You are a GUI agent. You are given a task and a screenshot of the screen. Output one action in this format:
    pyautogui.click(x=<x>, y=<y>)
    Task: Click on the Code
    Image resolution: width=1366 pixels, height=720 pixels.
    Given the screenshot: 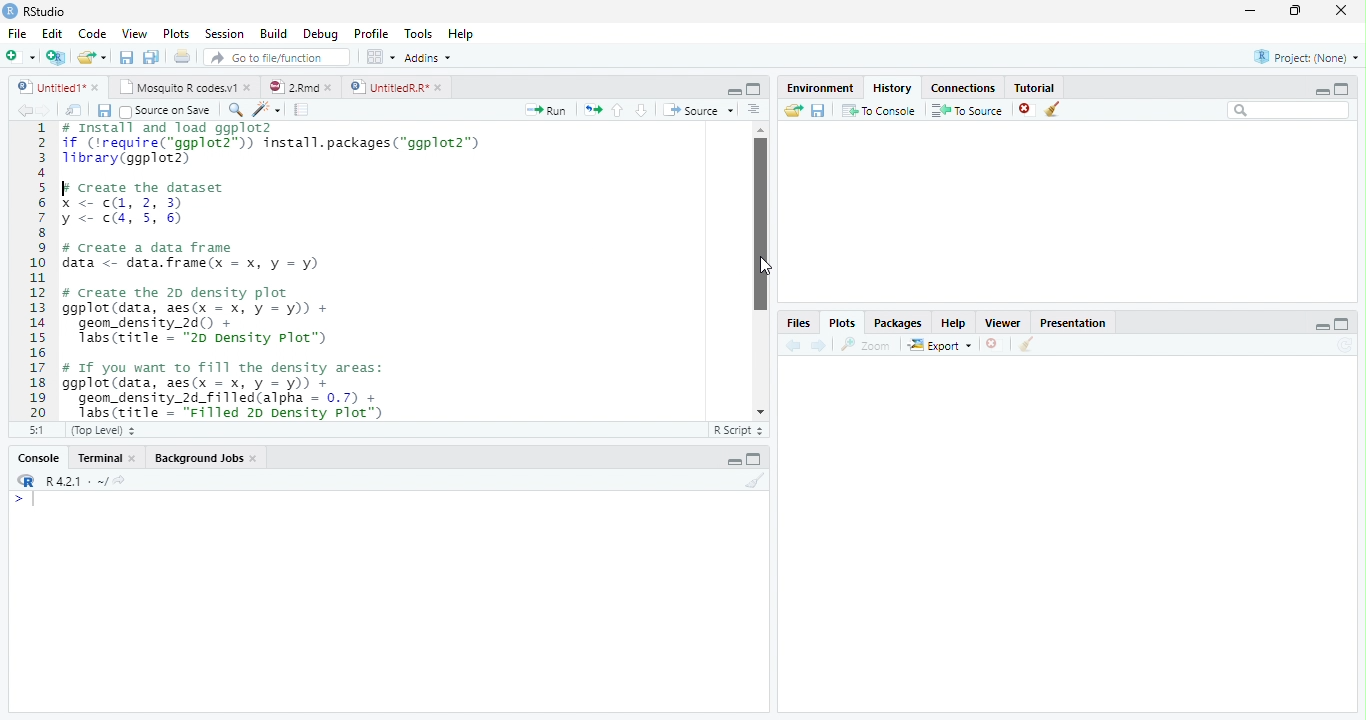 What is the action you would take?
    pyautogui.click(x=94, y=35)
    